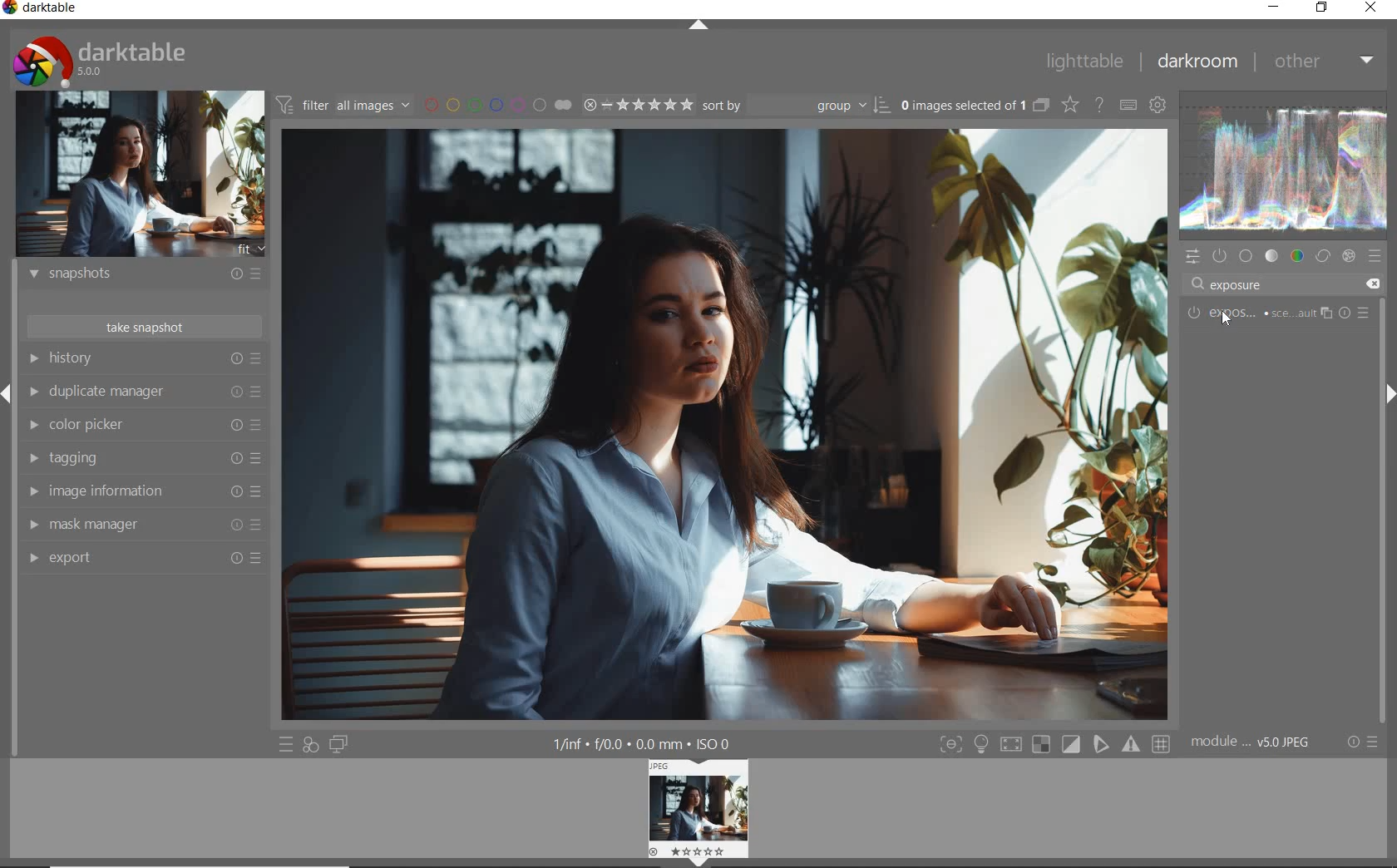  I want to click on image preview, so click(695, 812).